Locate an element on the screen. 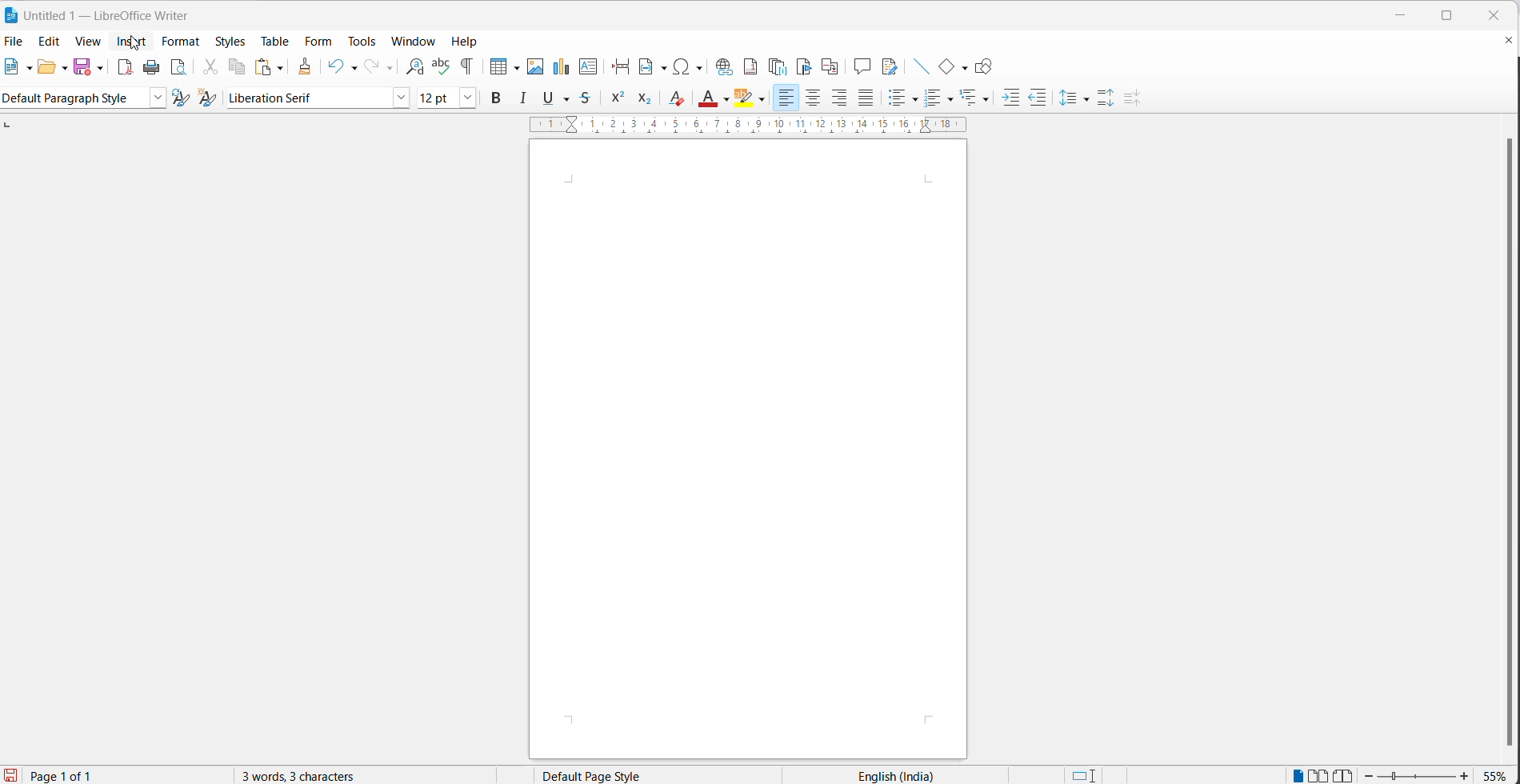 The image size is (1520, 784). text align center is located at coordinates (812, 99).